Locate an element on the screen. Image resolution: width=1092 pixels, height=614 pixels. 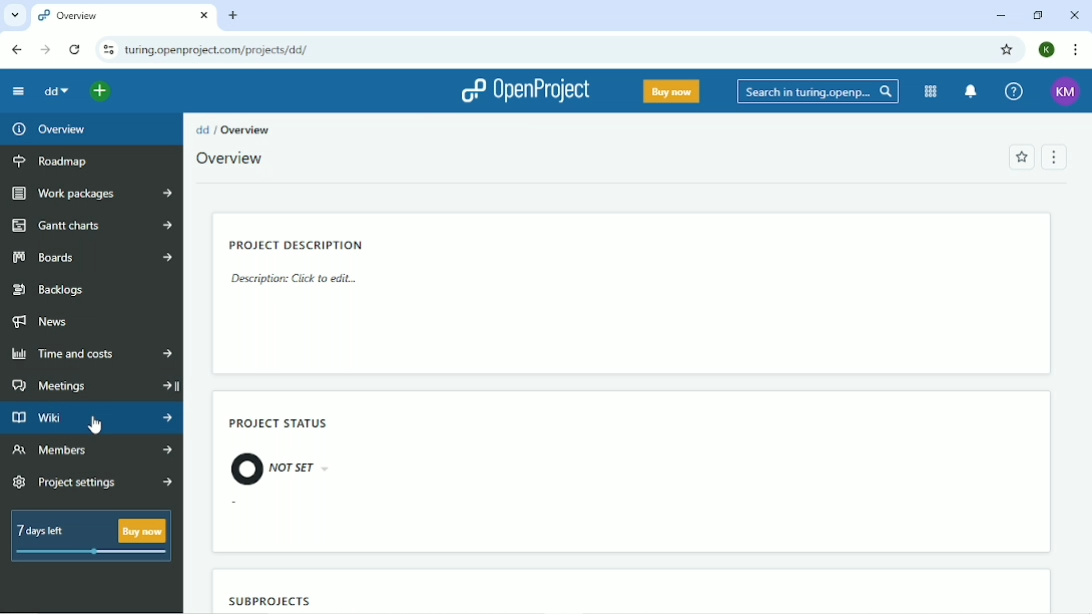
Restore down is located at coordinates (1036, 15).